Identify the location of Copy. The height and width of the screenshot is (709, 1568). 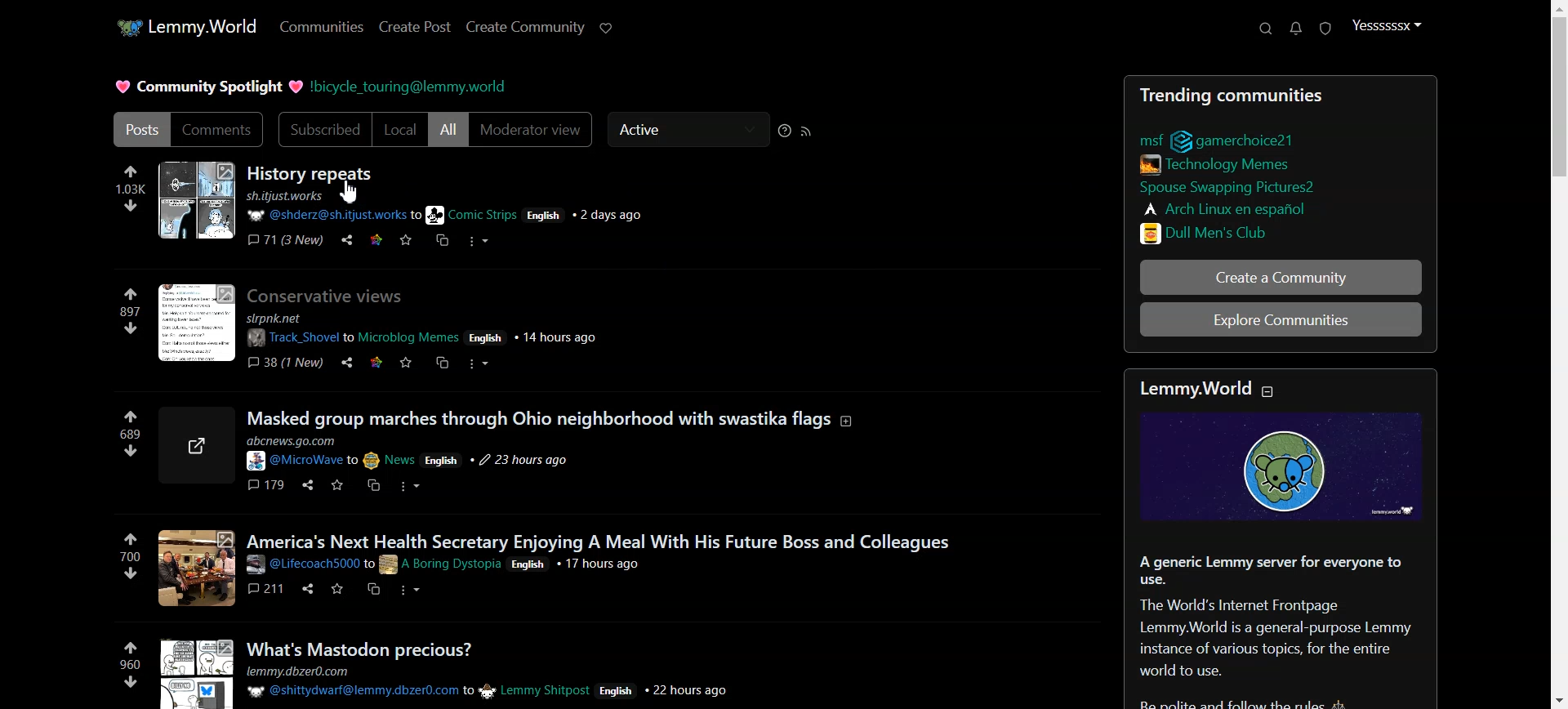
(376, 594).